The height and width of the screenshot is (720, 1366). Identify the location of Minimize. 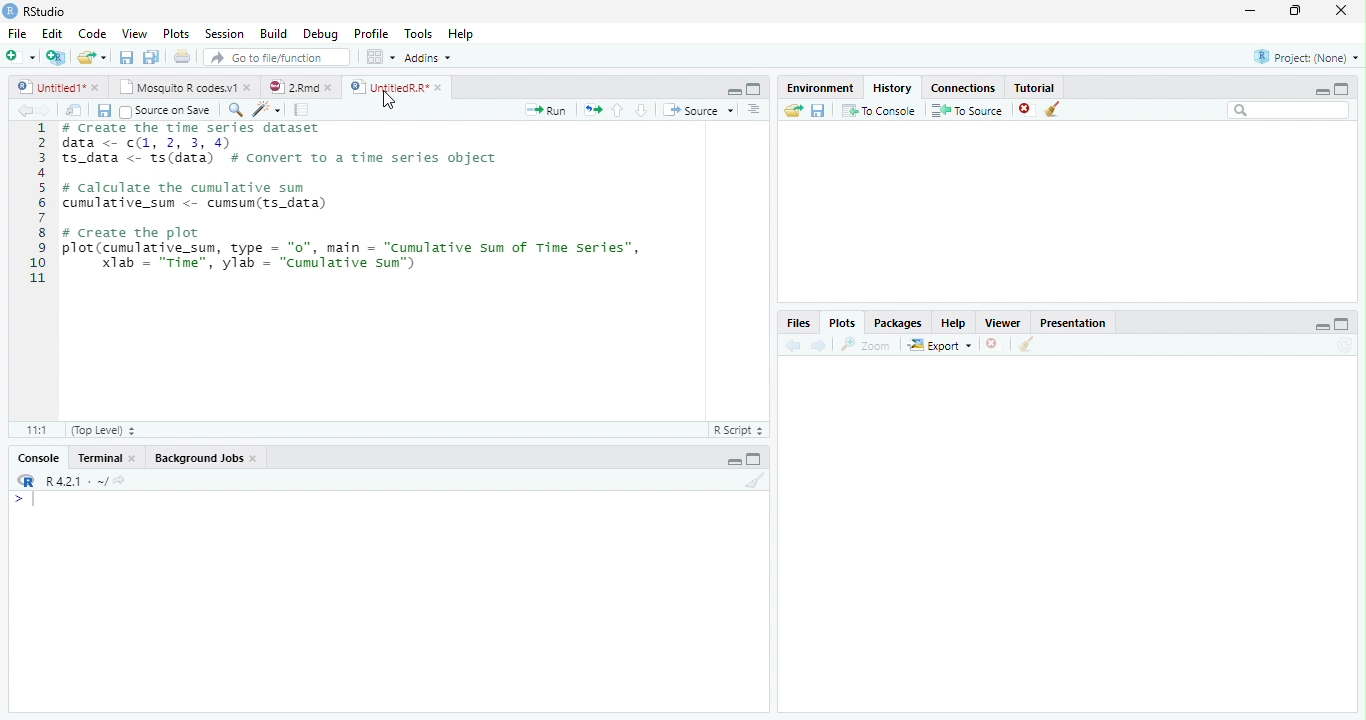
(733, 462).